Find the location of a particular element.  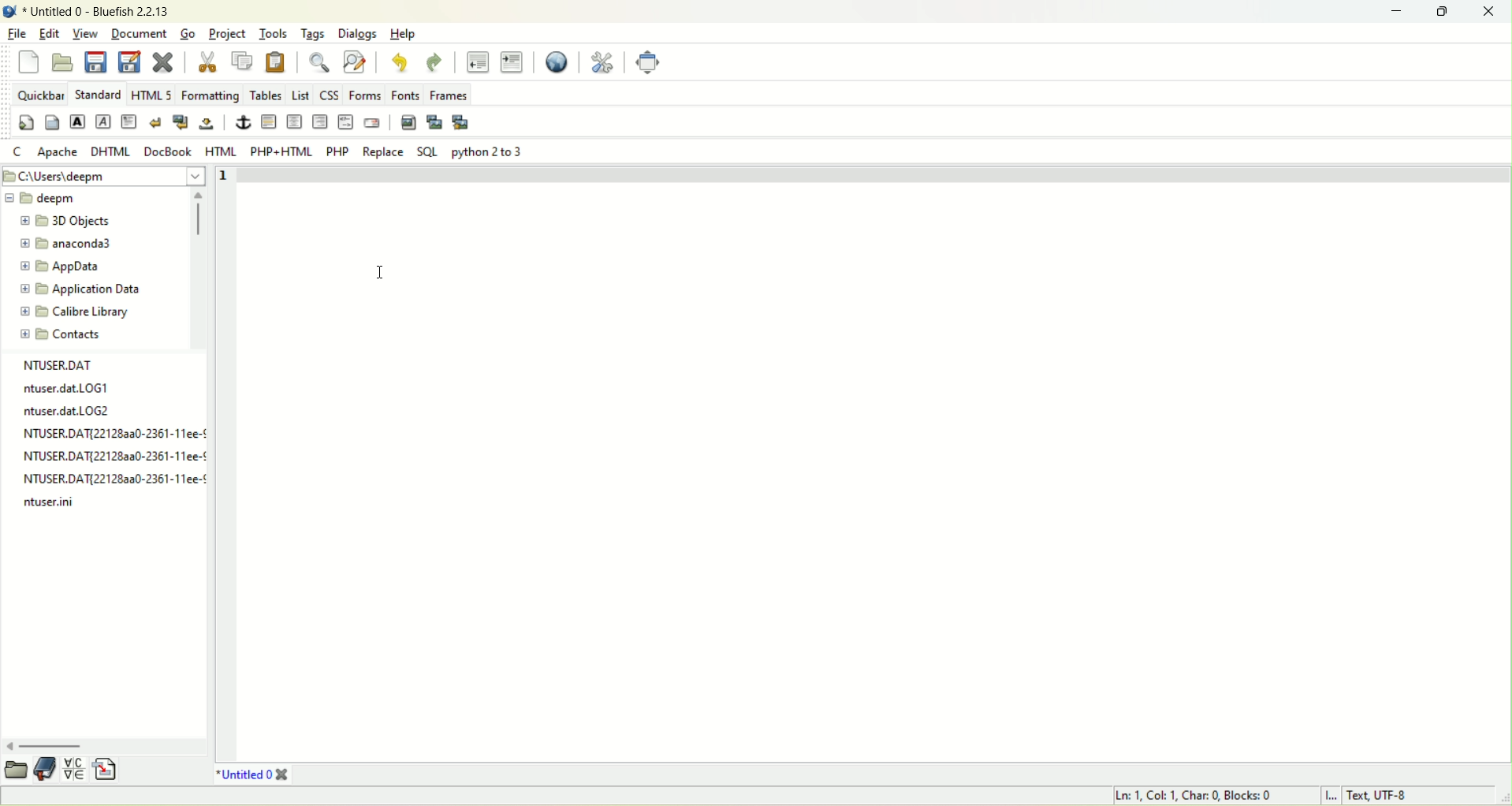

standard is located at coordinates (98, 95).